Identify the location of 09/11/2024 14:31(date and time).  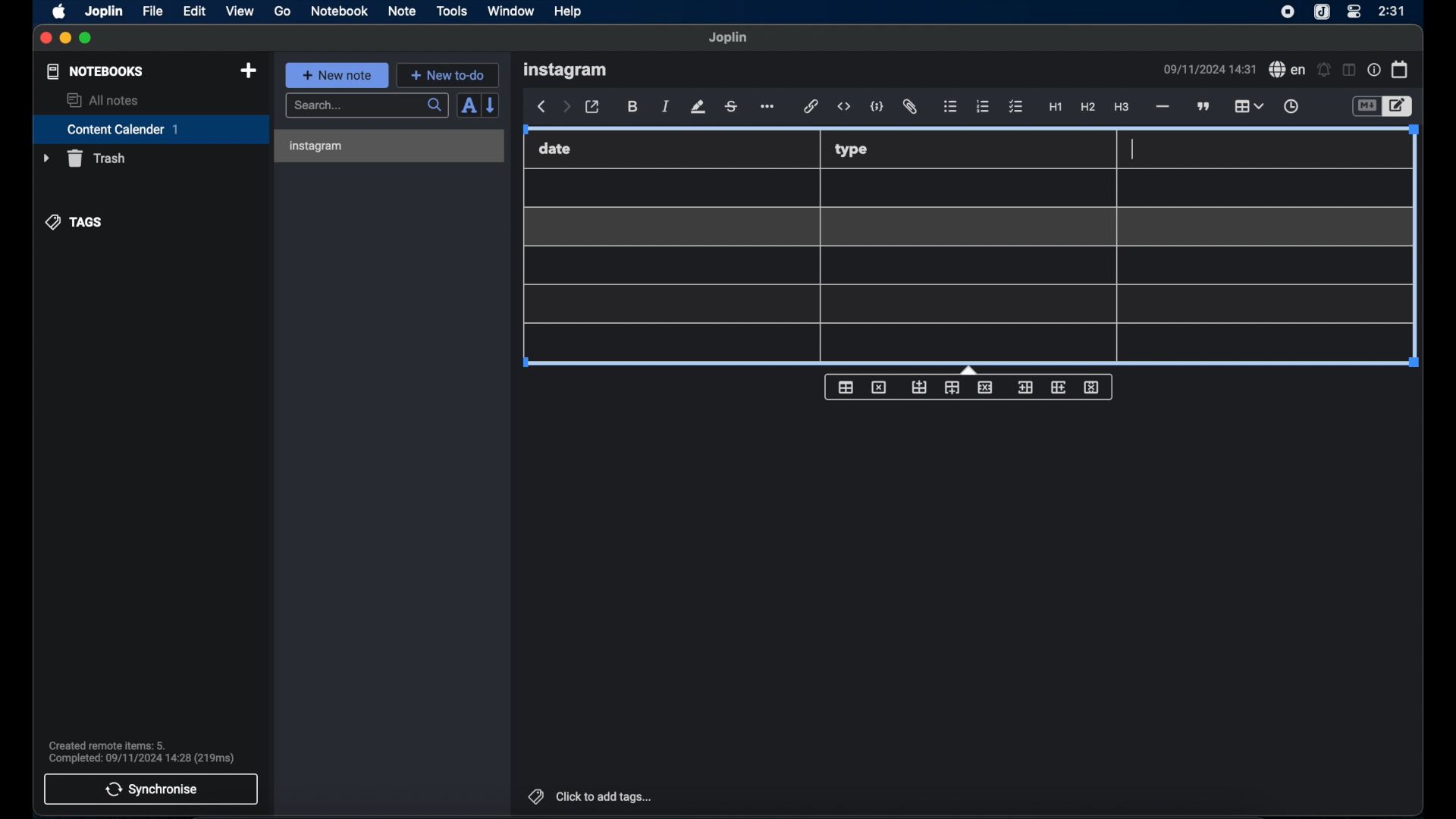
(1210, 69).